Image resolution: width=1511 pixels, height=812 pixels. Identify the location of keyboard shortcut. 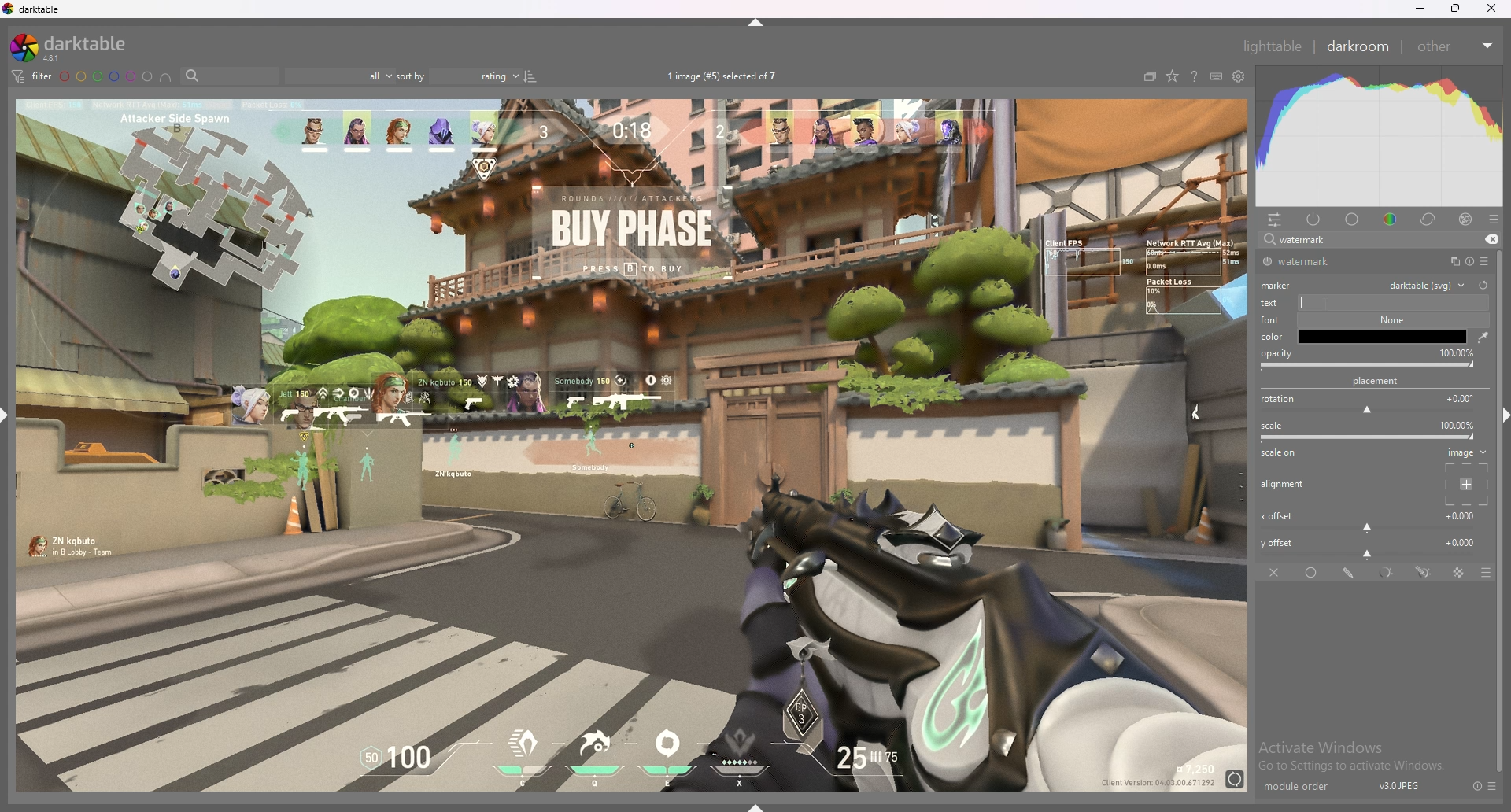
(1216, 77).